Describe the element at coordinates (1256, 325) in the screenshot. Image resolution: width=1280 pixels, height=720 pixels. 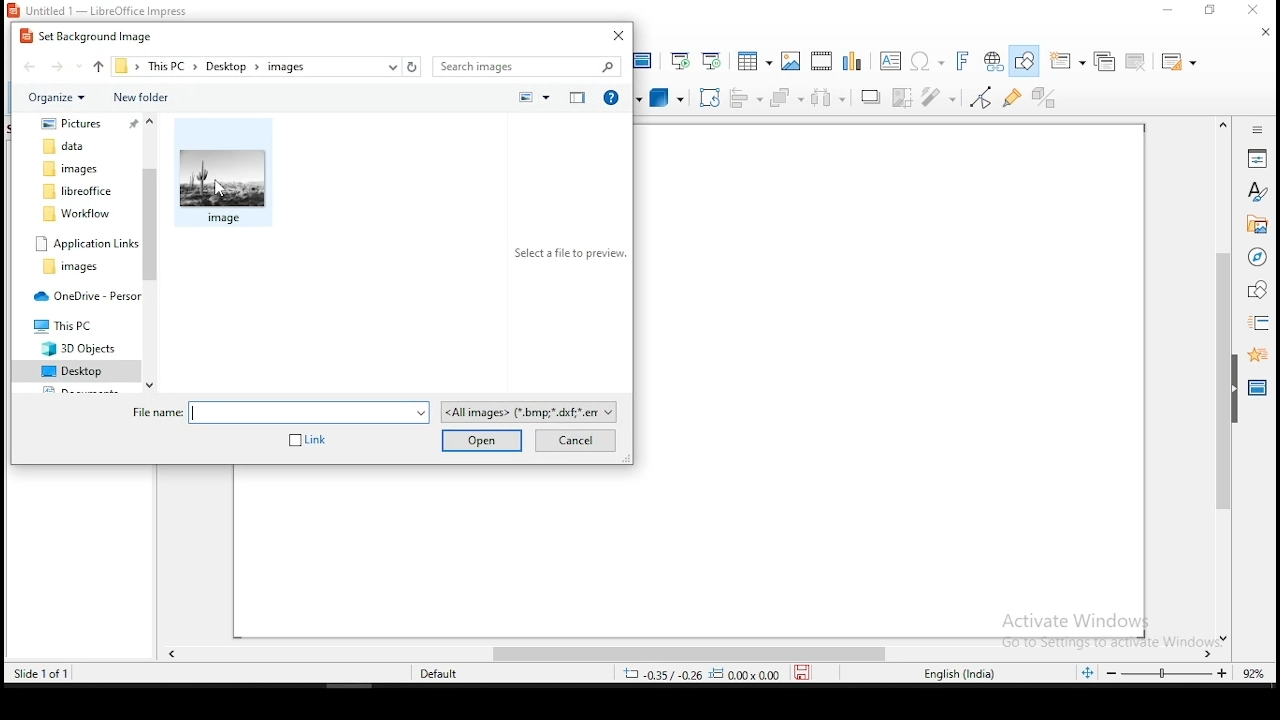
I see `slide transition` at that location.